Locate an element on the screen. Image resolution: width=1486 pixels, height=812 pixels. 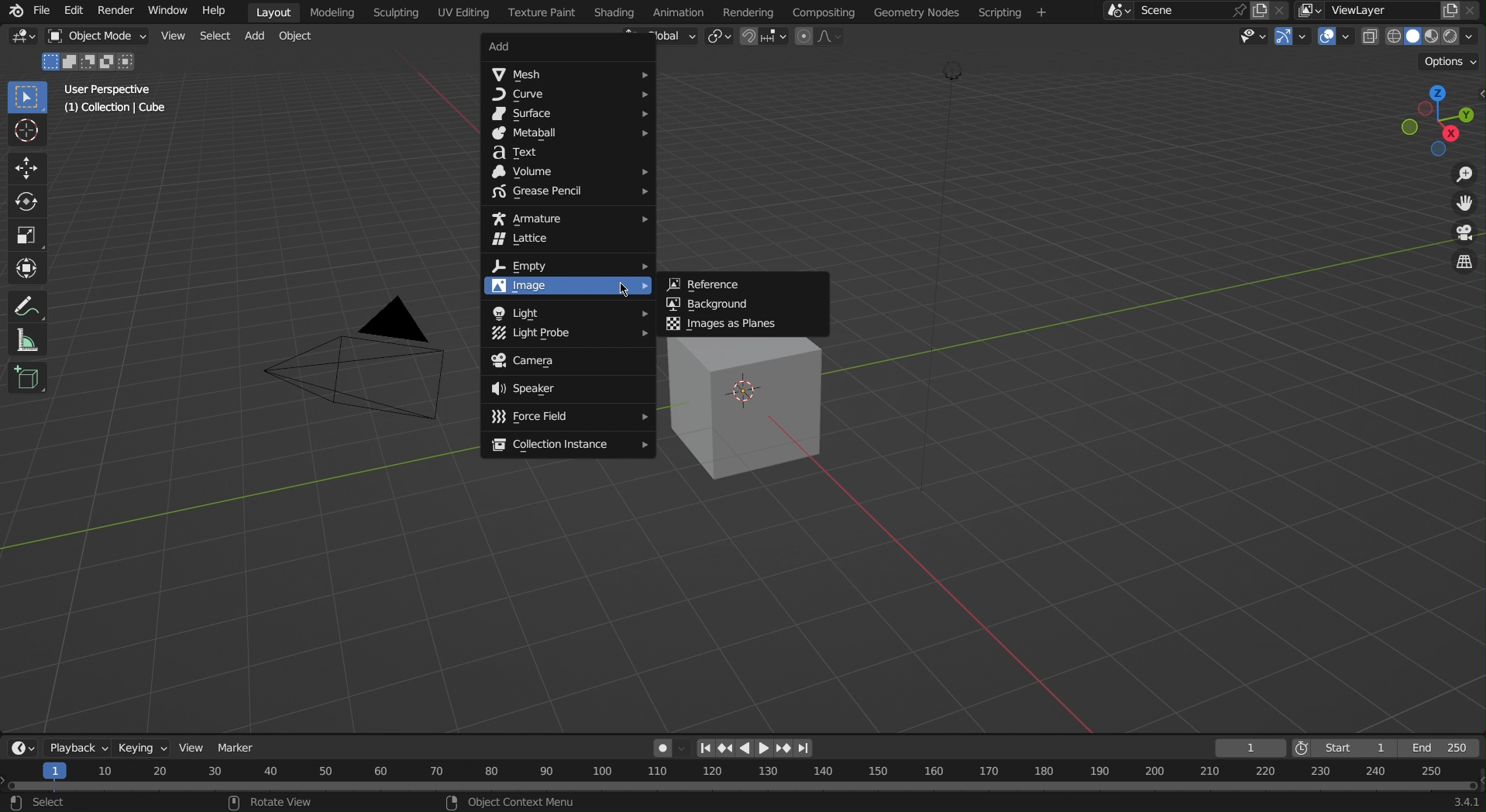
Speaker is located at coordinates (568, 389).